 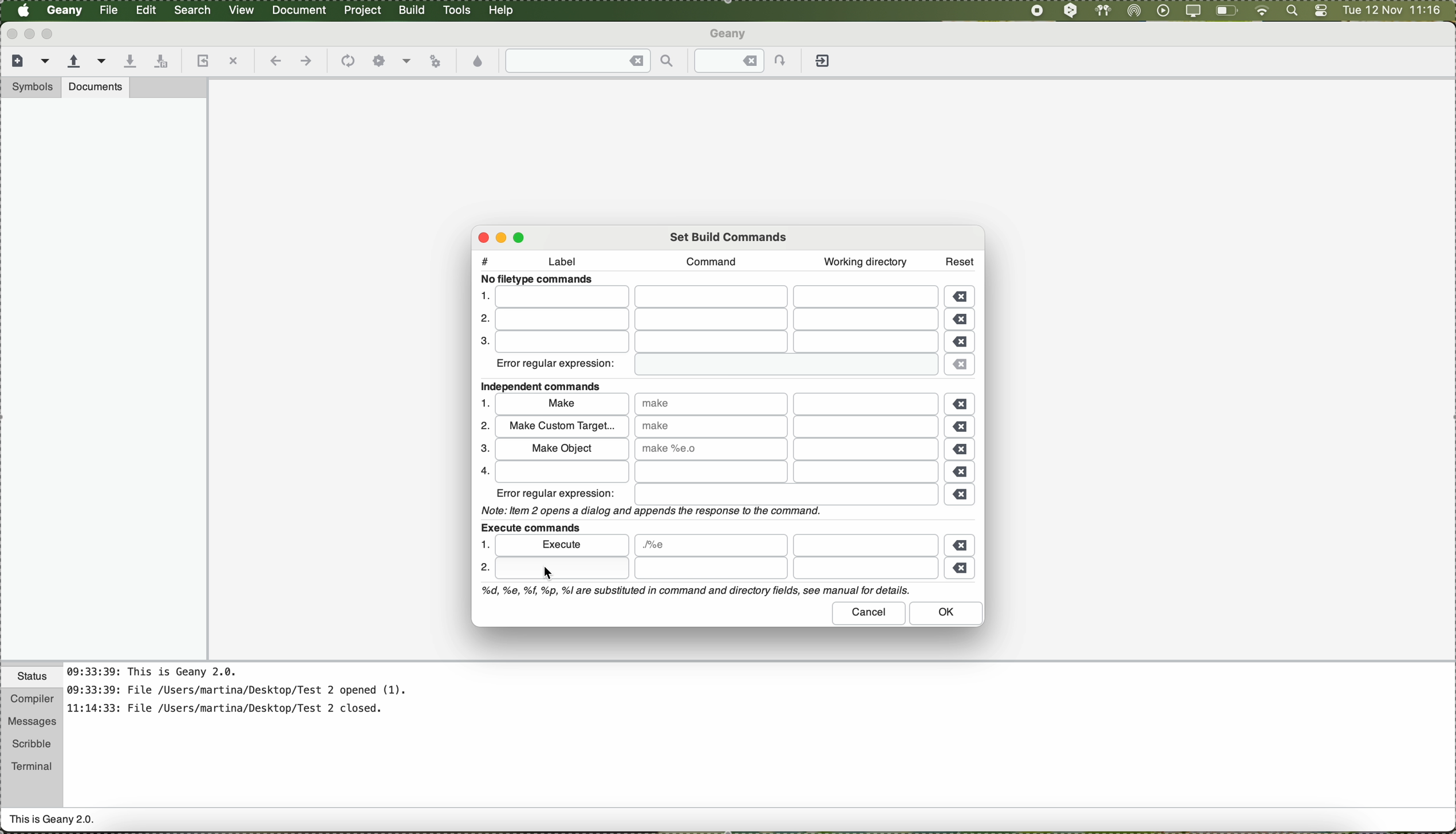 What do you see at coordinates (502, 10) in the screenshot?
I see `help` at bounding box center [502, 10].